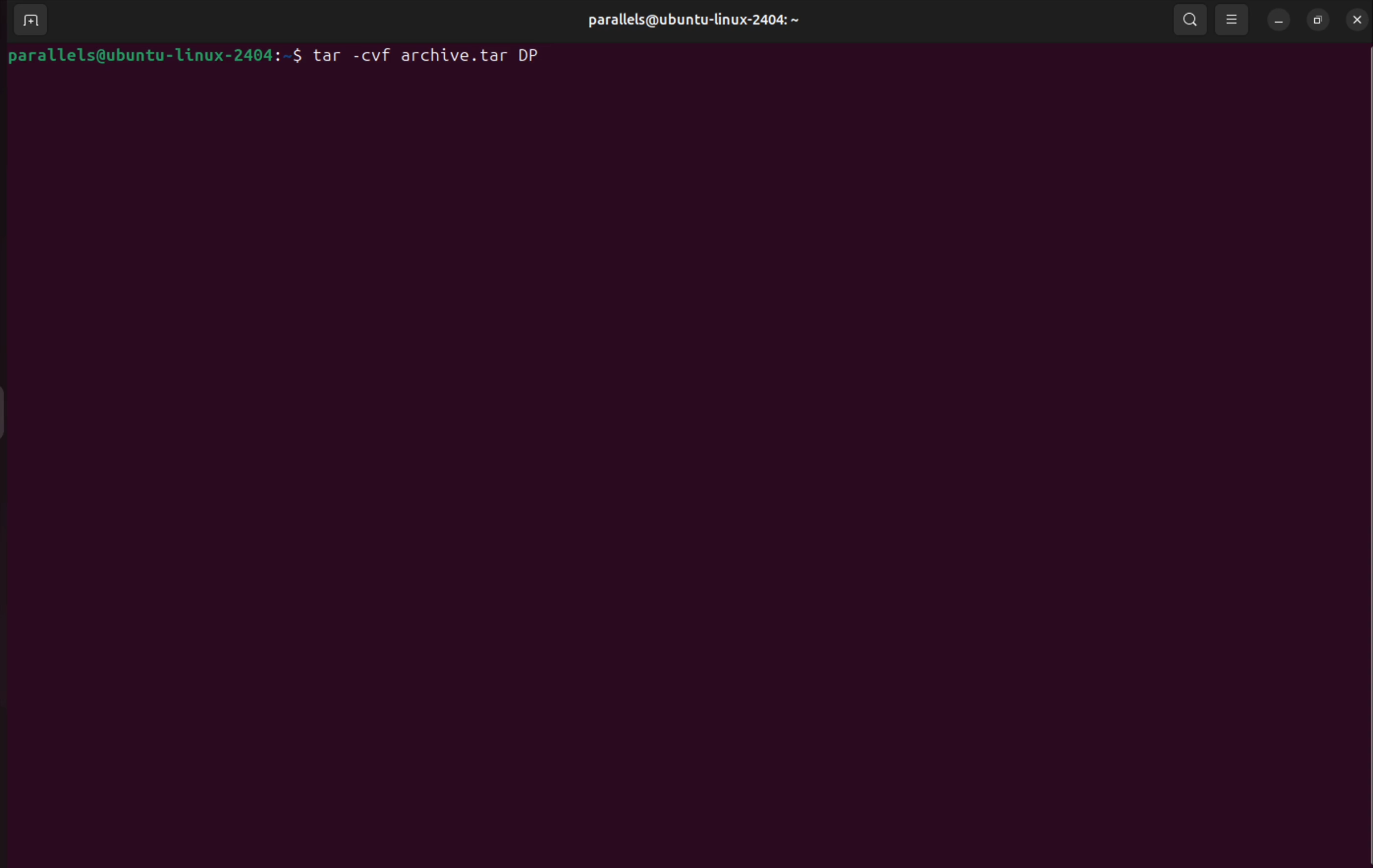  What do you see at coordinates (710, 23) in the screenshot?
I see `parallels profile` at bounding box center [710, 23].